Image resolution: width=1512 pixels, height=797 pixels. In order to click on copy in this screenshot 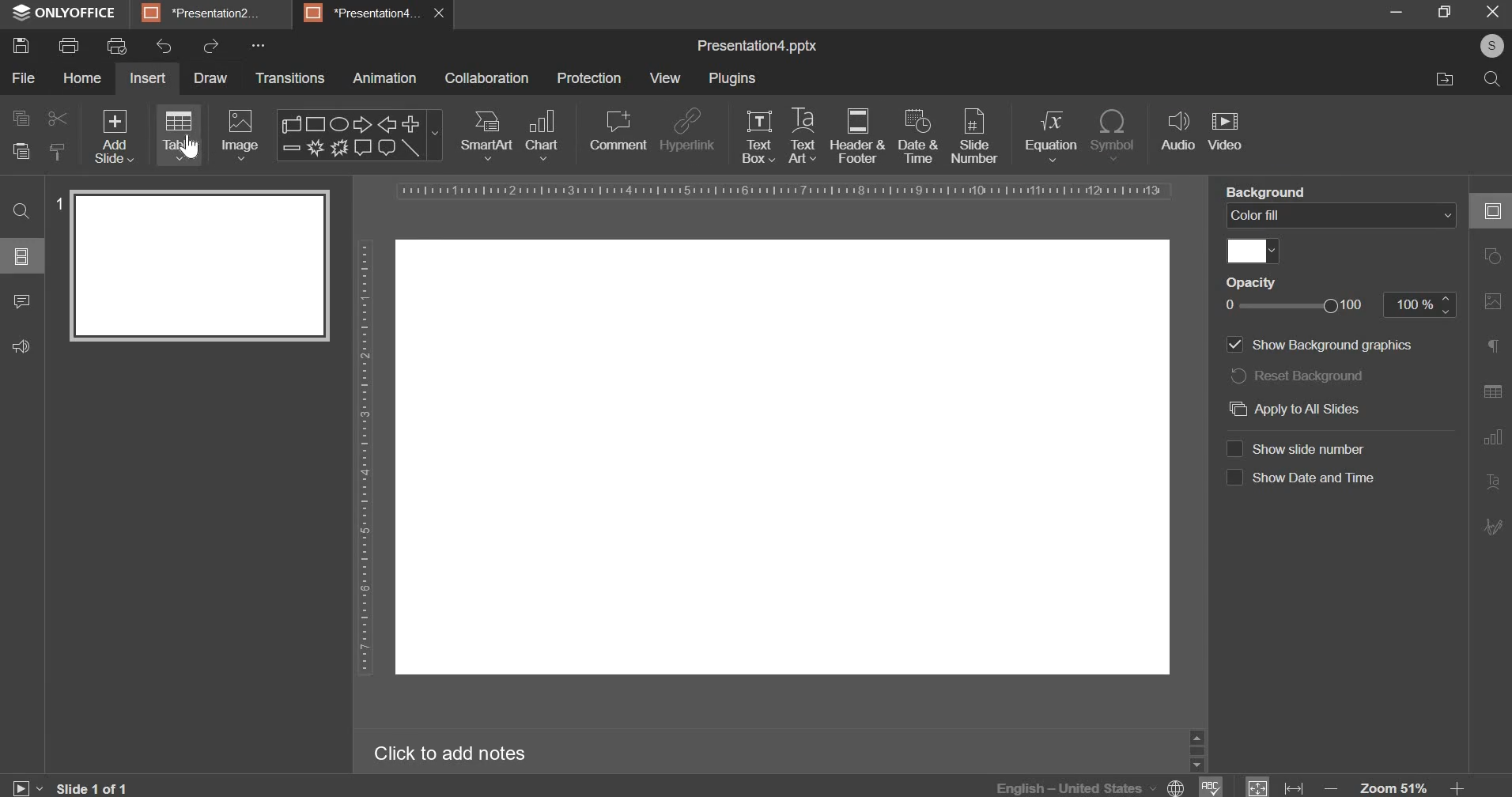, I will do `click(19, 119)`.